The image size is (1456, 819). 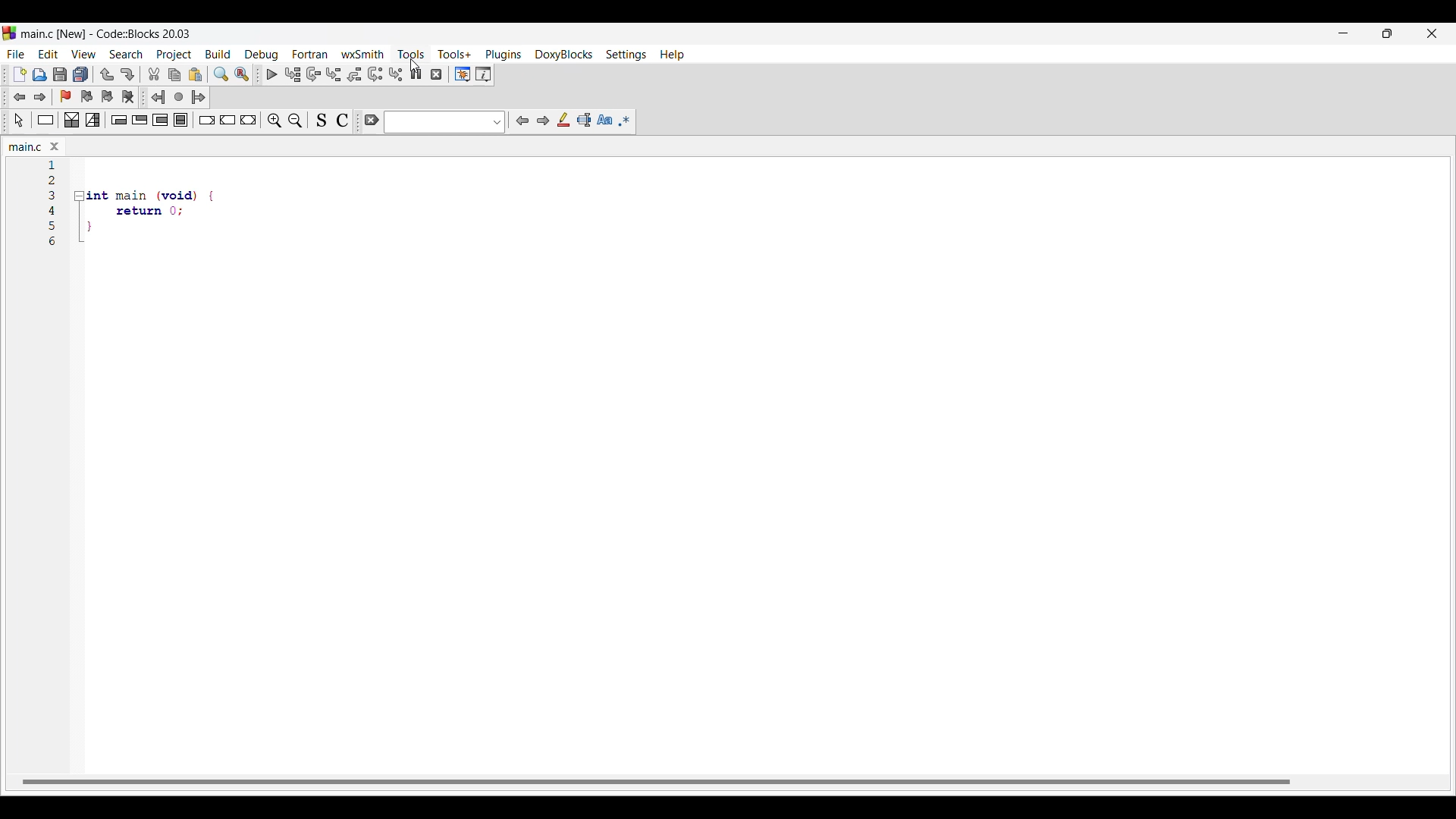 What do you see at coordinates (626, 55) in the screenshot?
I see `Settings menu` at bounding box center [626, 55].